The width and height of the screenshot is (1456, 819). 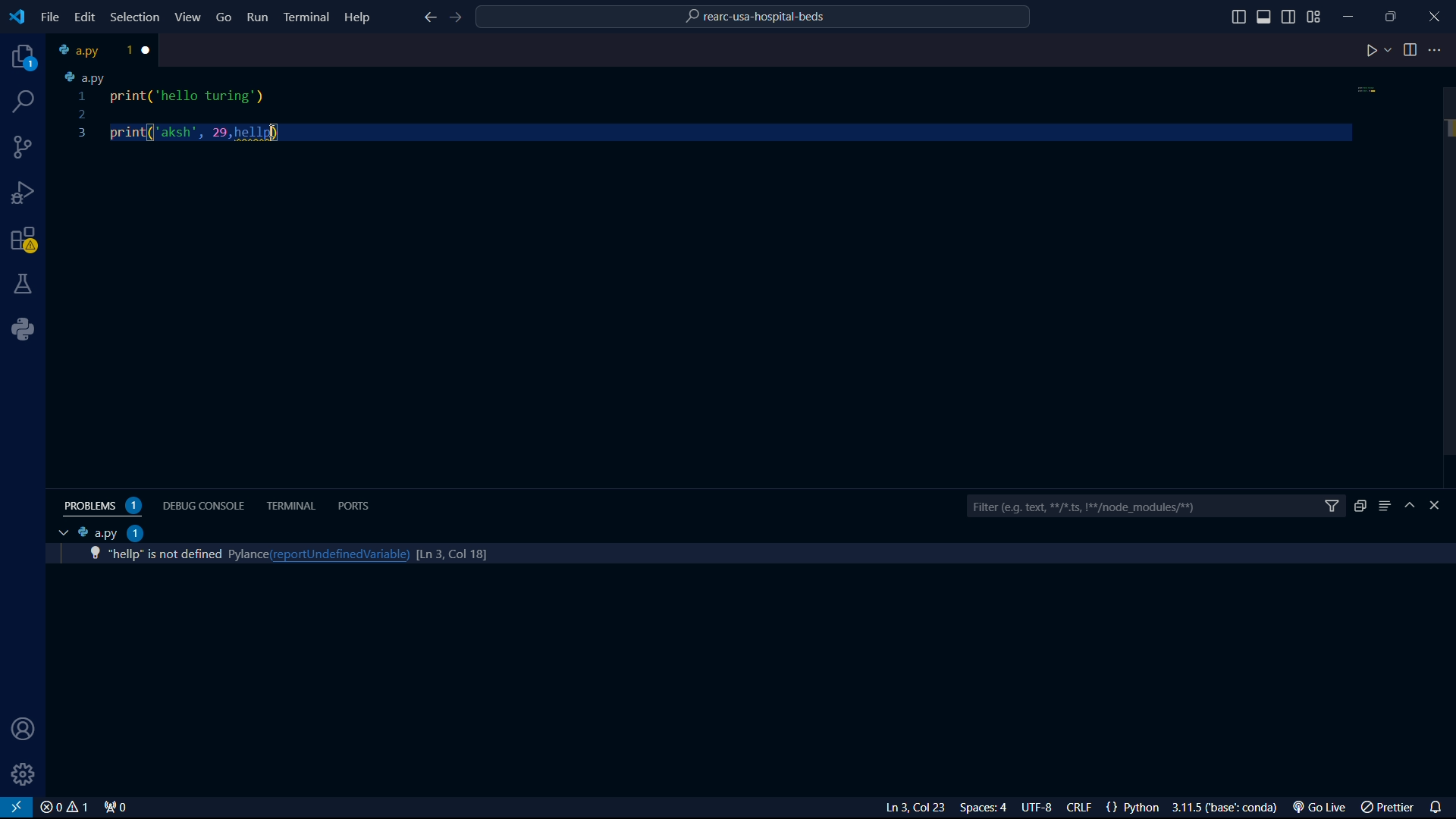 I want to click on notifications, so click(x=1439, y=805).